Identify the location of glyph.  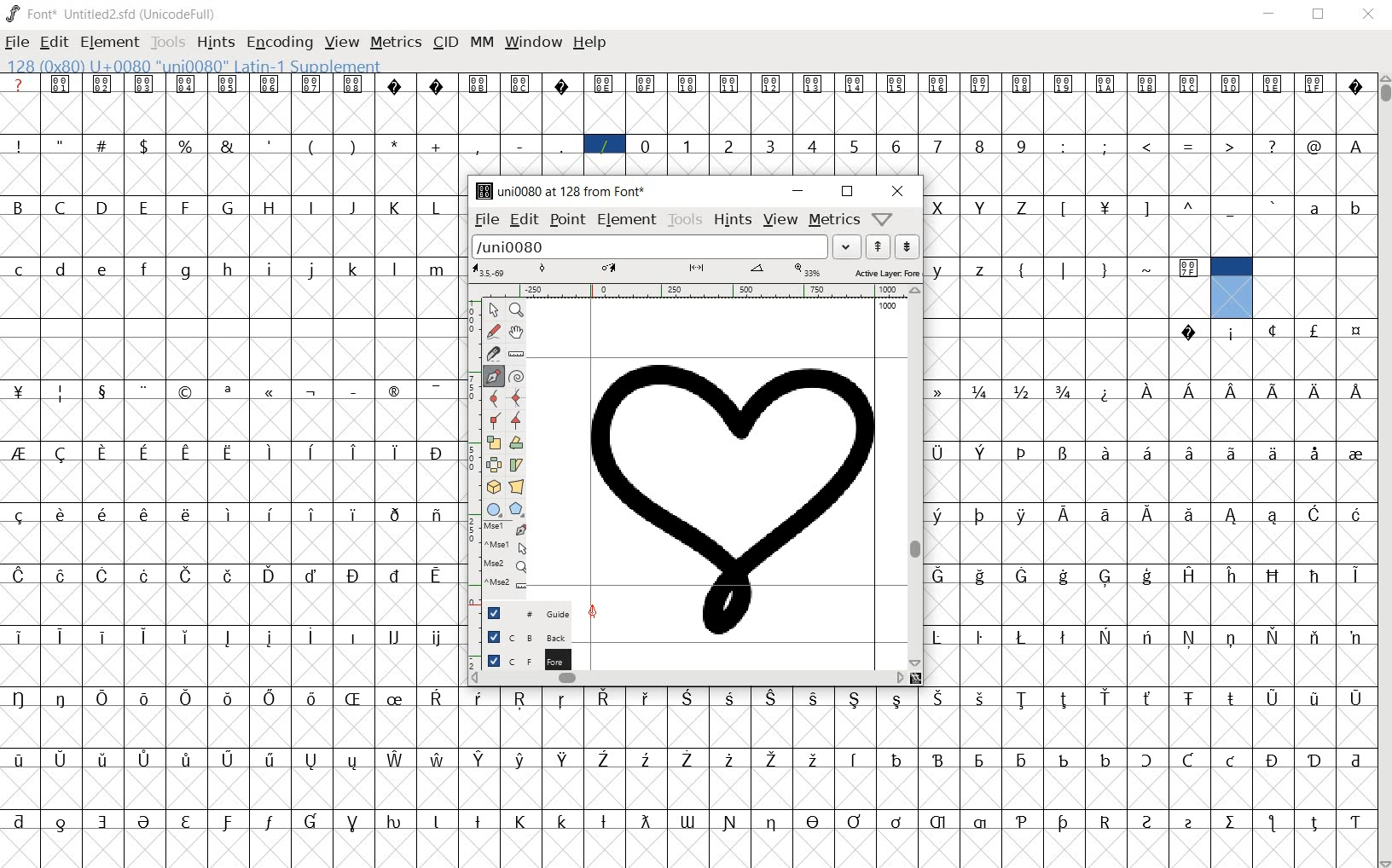
(61, 84).